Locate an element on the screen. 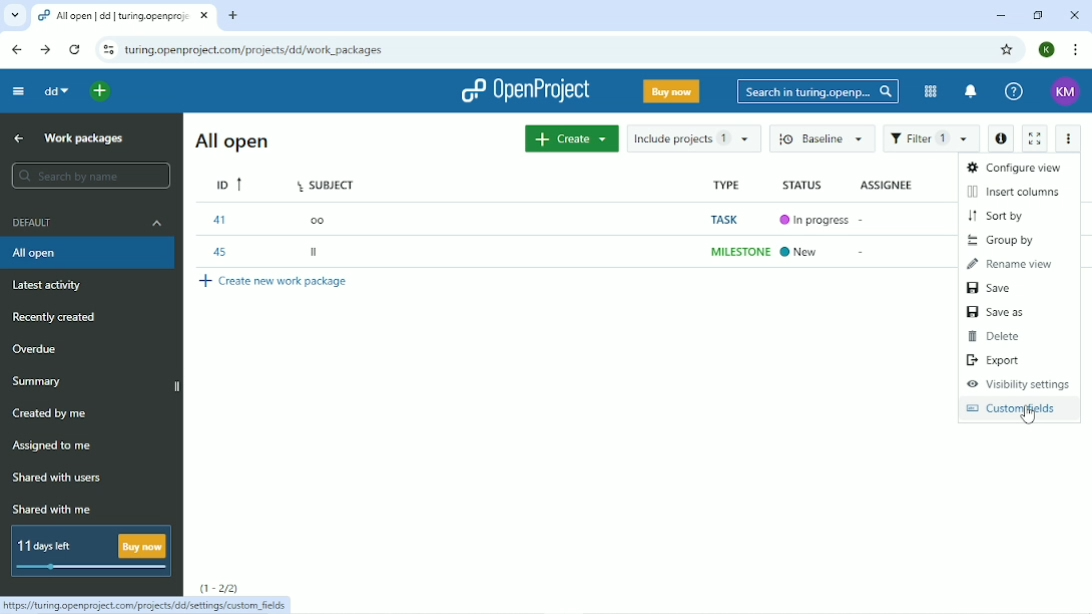 This screenshot has width=1092, height=614. dd is located at coordinates (55, 91).